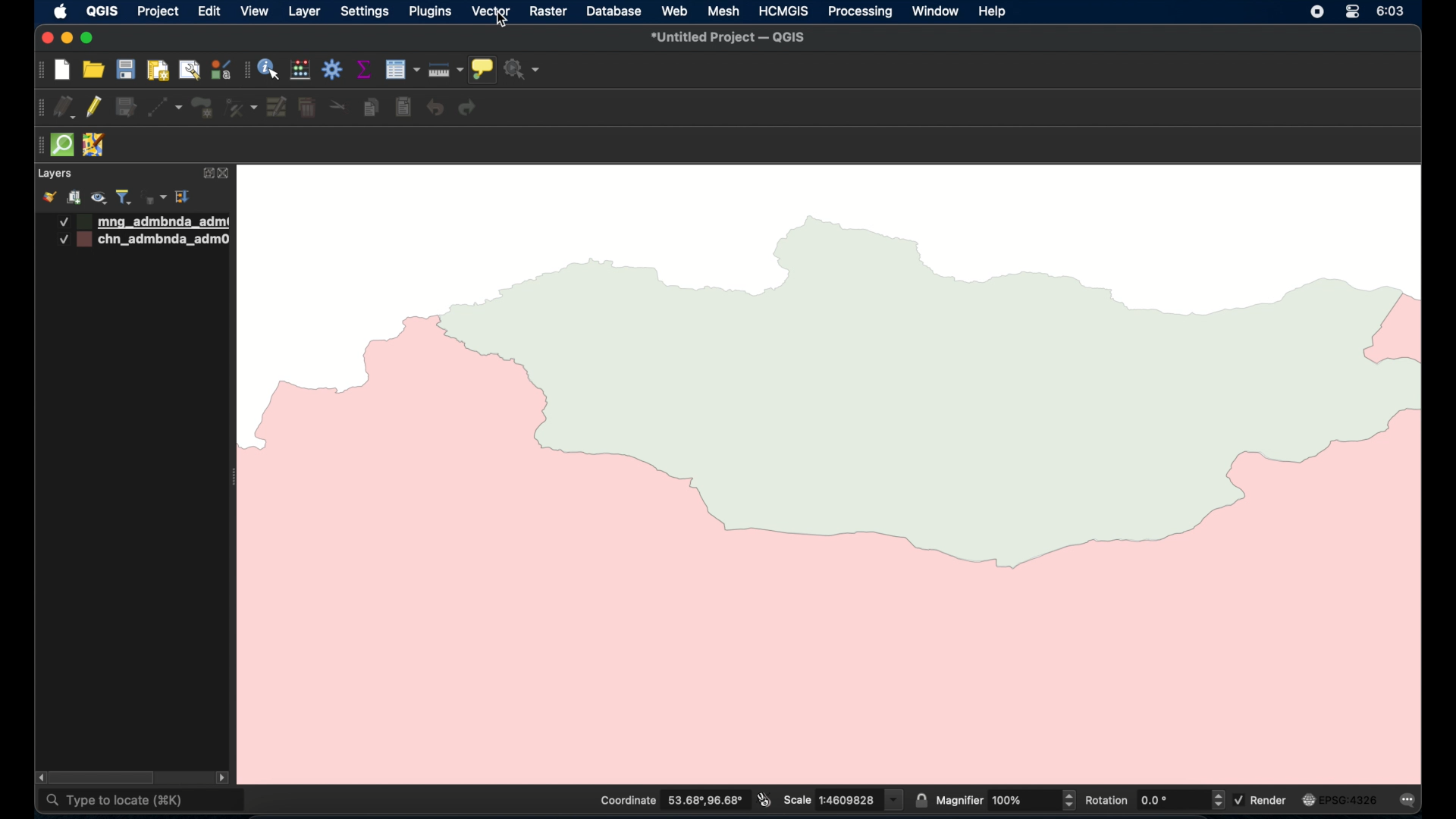  What do you see at coordinates (145, 222) in the screenshot?
I see `layer 1` at bounding box center [145, 222].